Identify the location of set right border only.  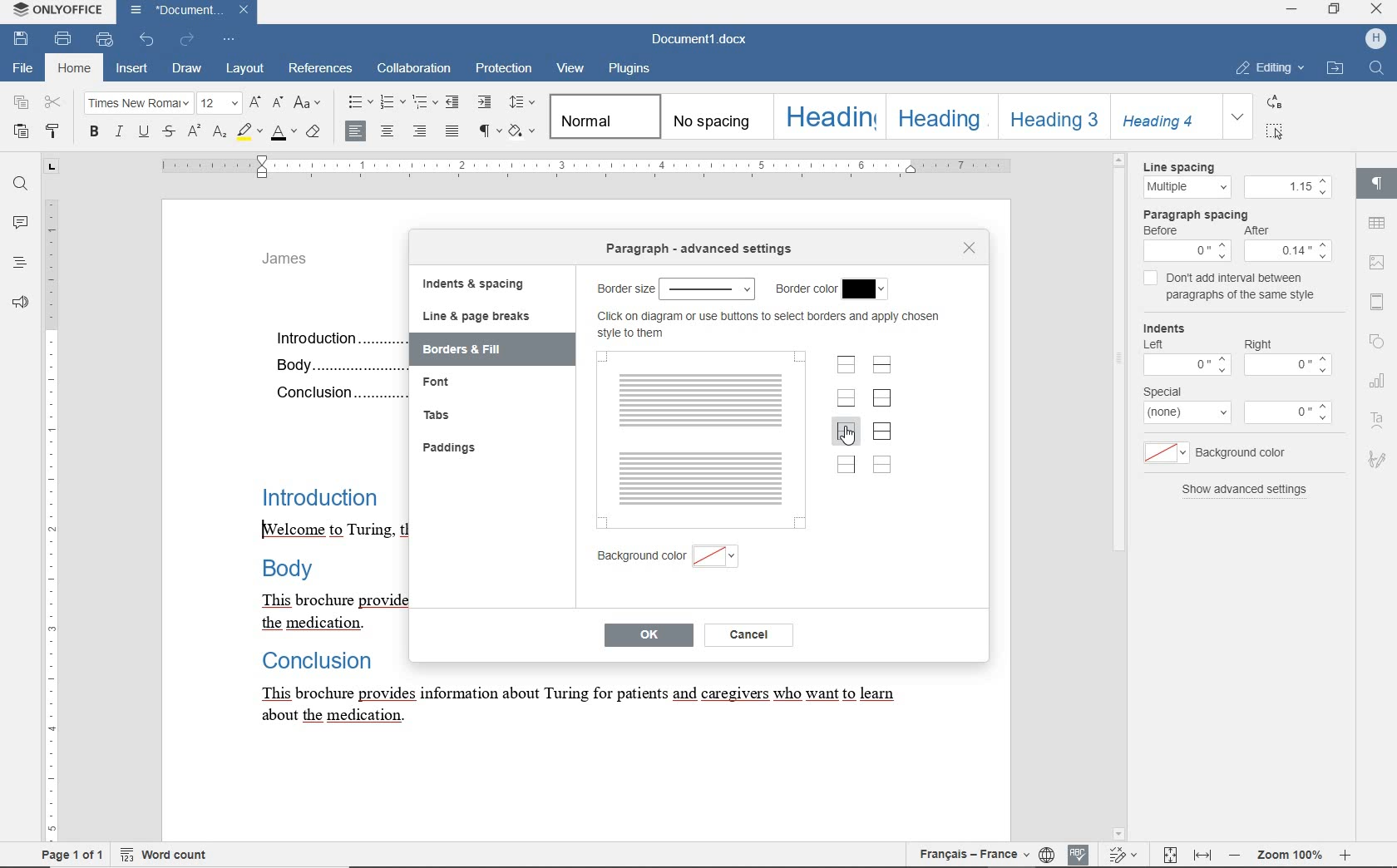
(845, 465).